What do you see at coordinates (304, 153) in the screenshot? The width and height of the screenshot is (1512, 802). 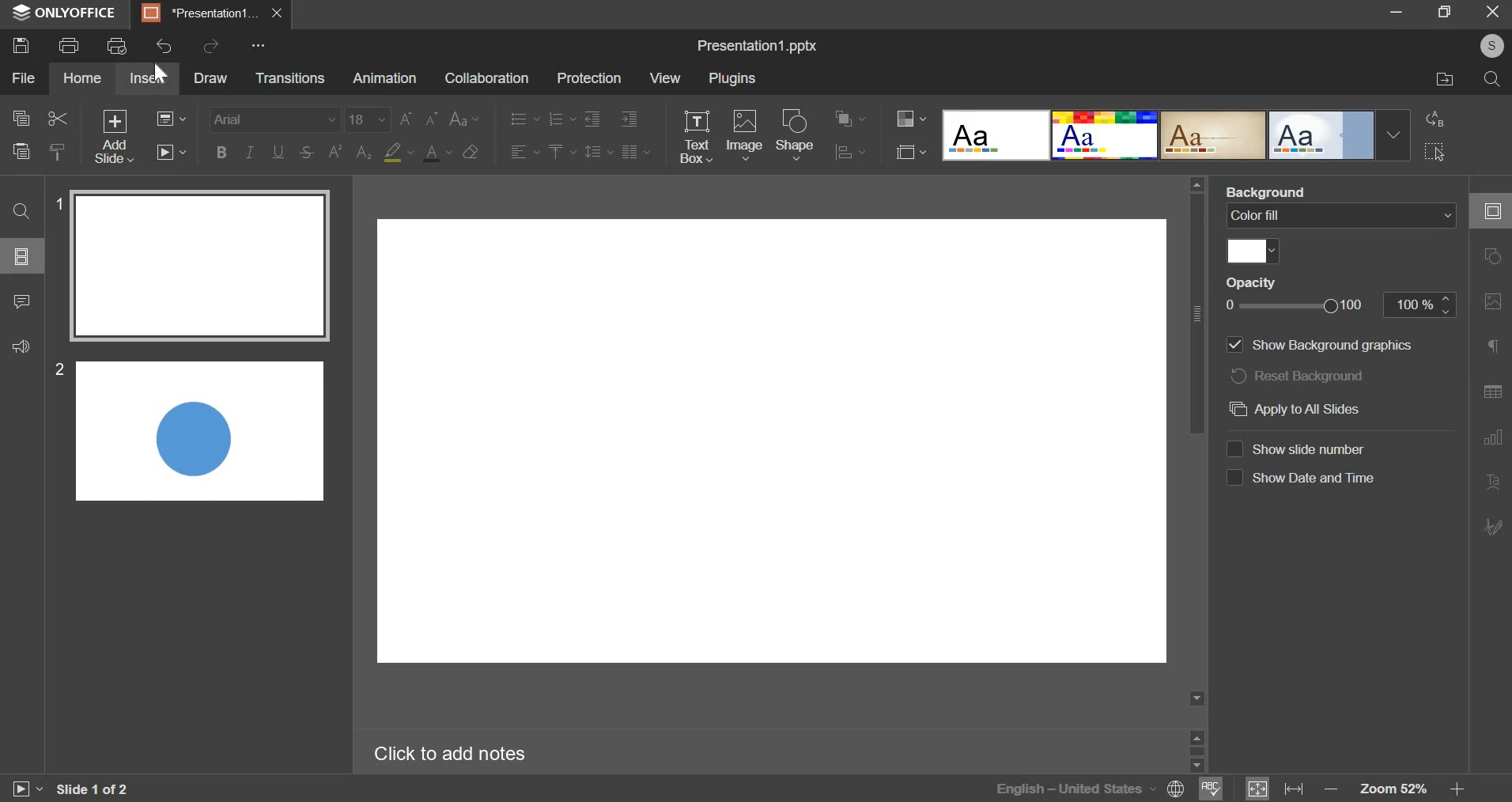 I see `strike through` at bounding box center [304, 153].